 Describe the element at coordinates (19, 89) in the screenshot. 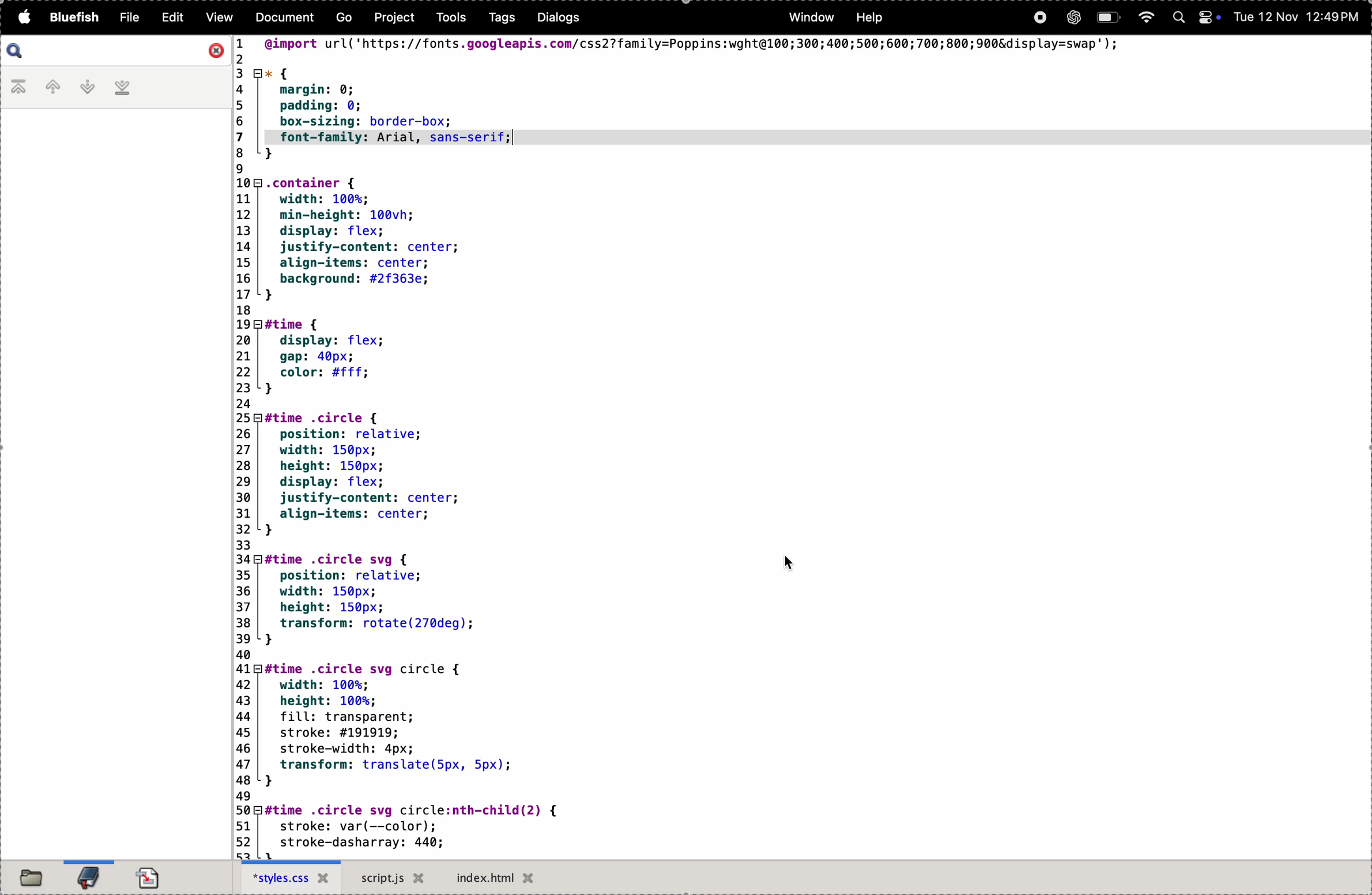

I see `first bookmark` at that location.